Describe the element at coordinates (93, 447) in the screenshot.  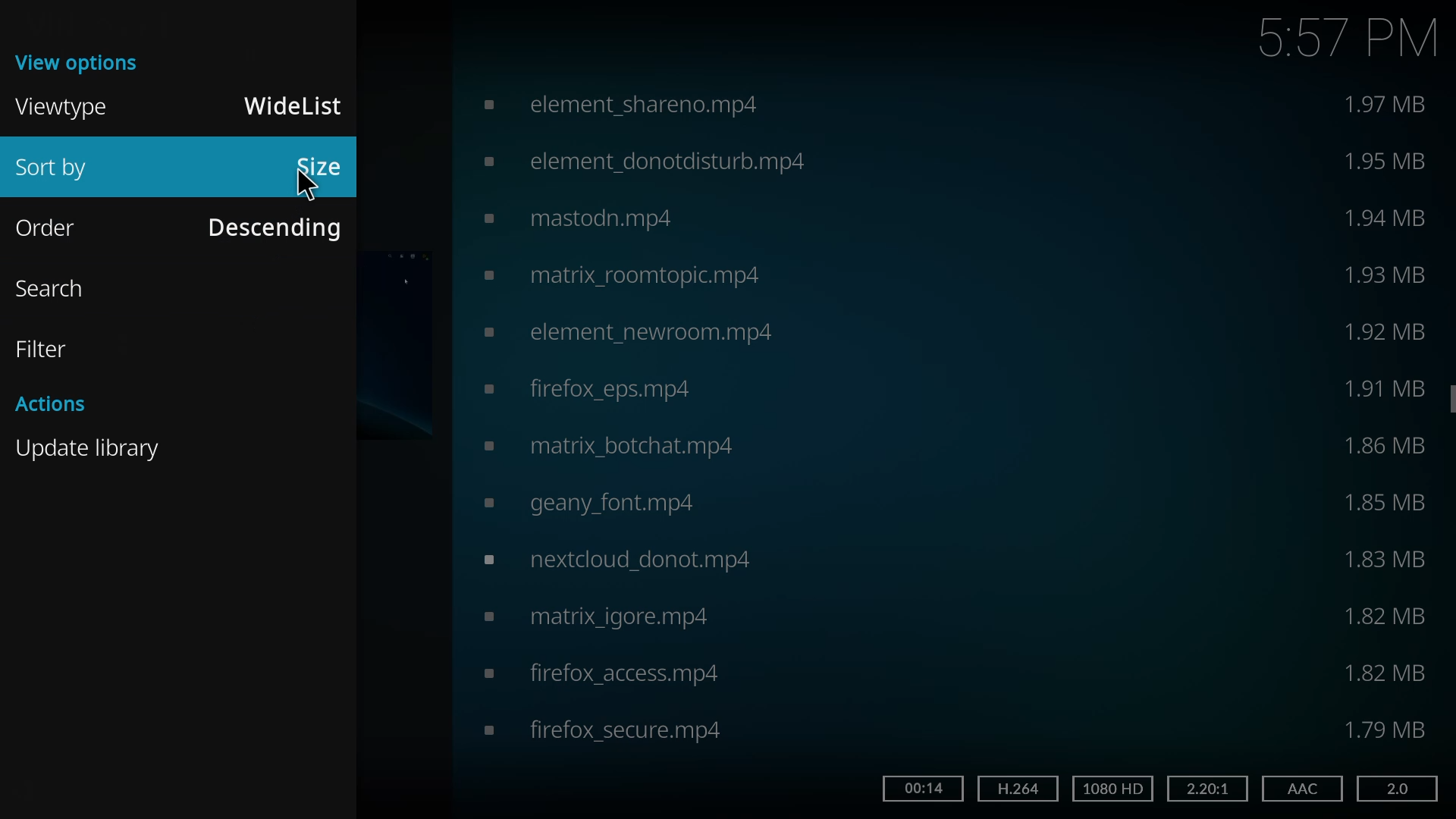
I see `update library` at that location.